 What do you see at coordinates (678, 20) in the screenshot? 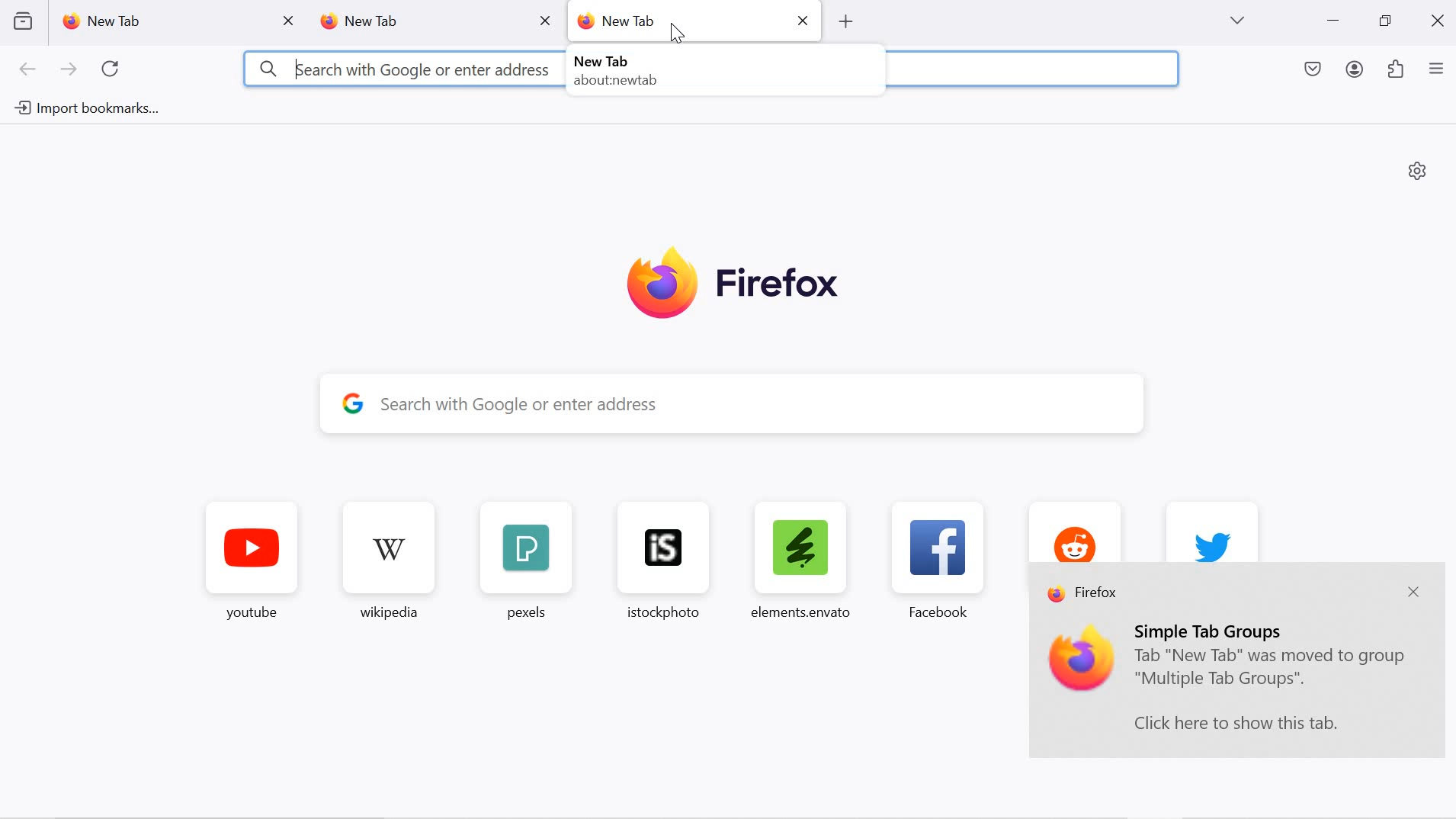
I see `new tab` at bounding box center [678, 20].